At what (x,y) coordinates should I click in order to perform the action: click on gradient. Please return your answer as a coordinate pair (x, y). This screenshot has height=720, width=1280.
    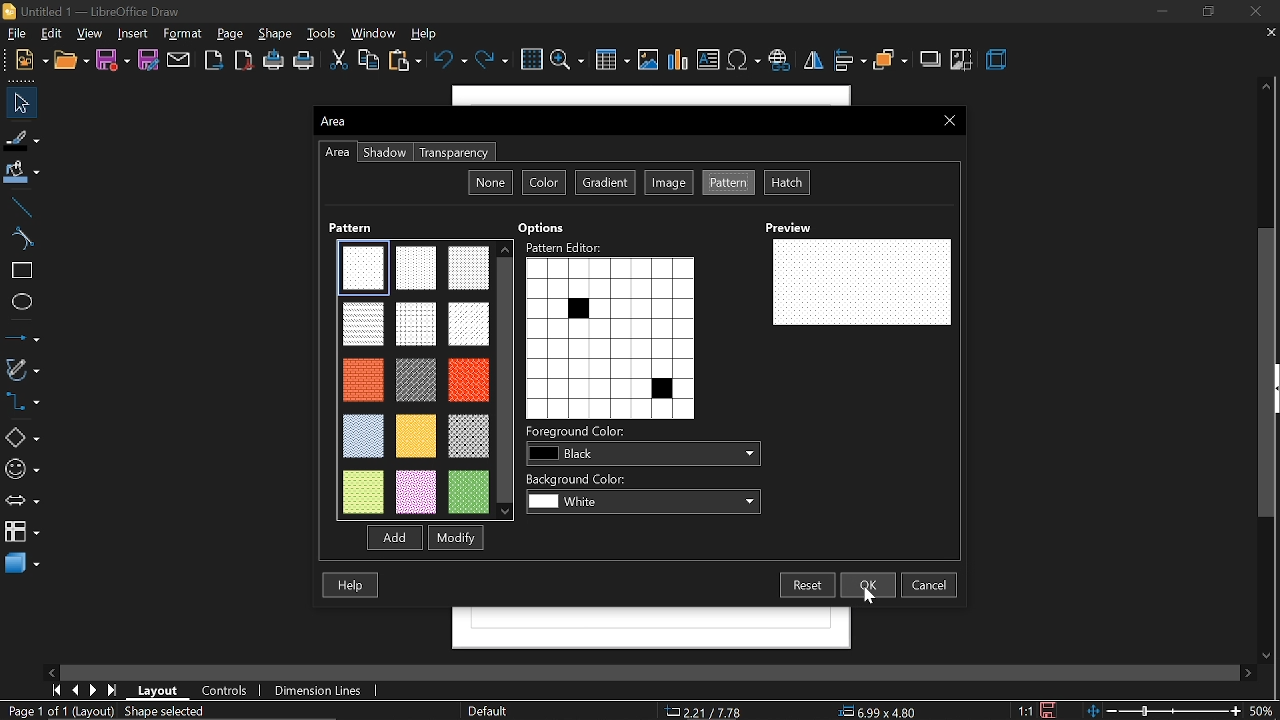
    Looking at the image, I should click on (605, 184).